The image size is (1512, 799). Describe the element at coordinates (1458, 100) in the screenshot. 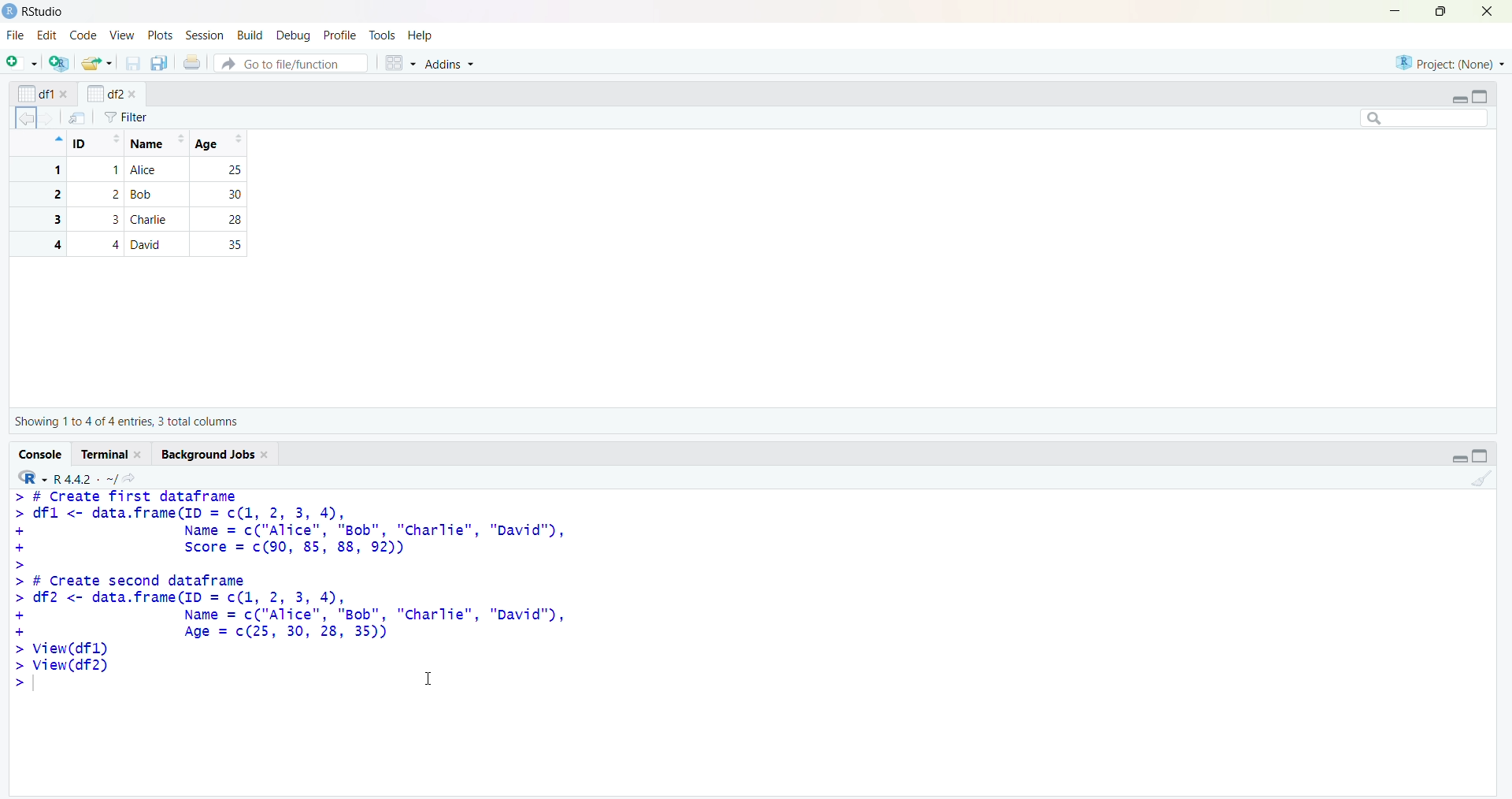

I see `Collapse/expand ` at that location.